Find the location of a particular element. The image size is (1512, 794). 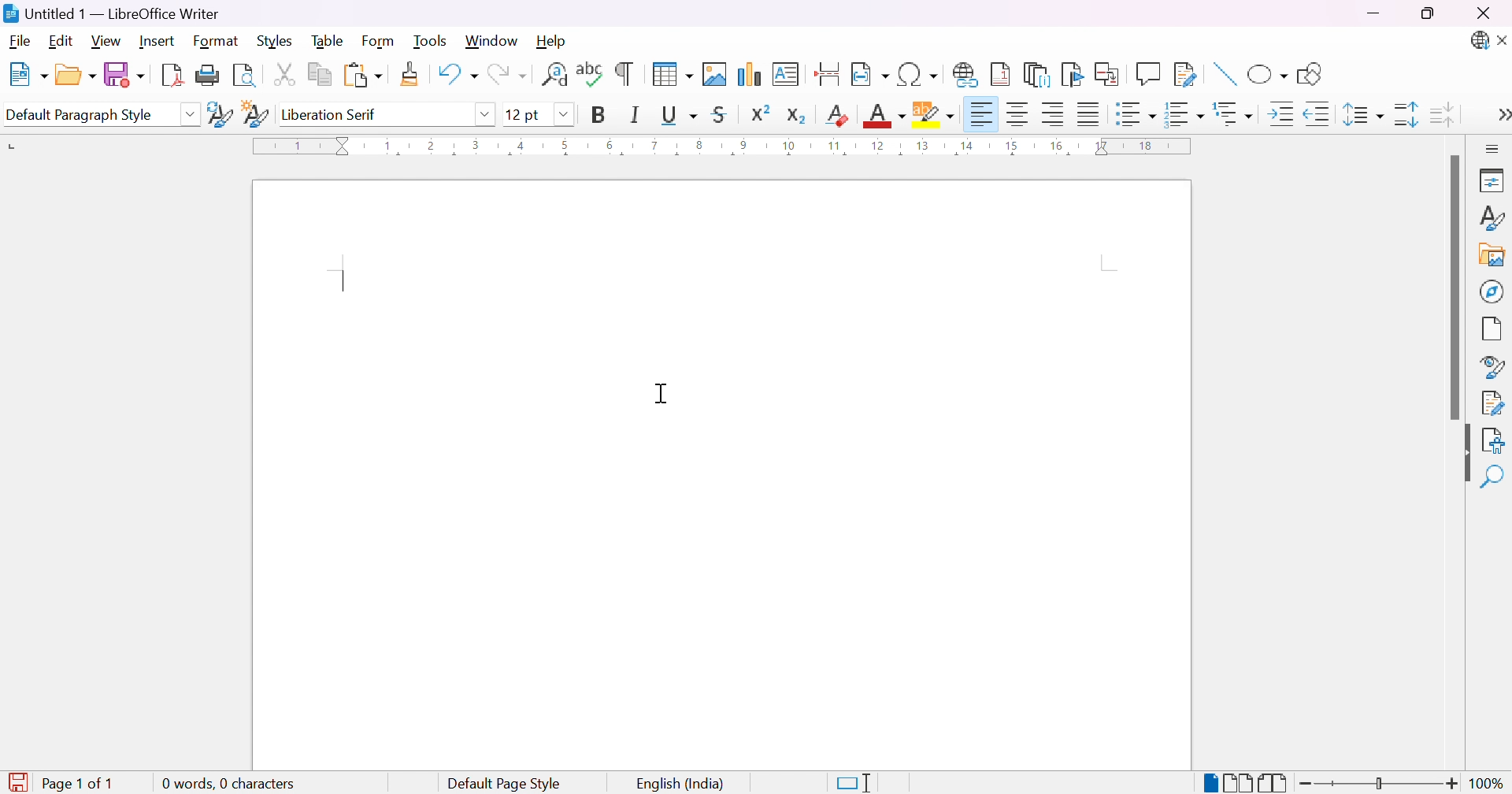

Set line spacing is located at coordinates (1360, 115).